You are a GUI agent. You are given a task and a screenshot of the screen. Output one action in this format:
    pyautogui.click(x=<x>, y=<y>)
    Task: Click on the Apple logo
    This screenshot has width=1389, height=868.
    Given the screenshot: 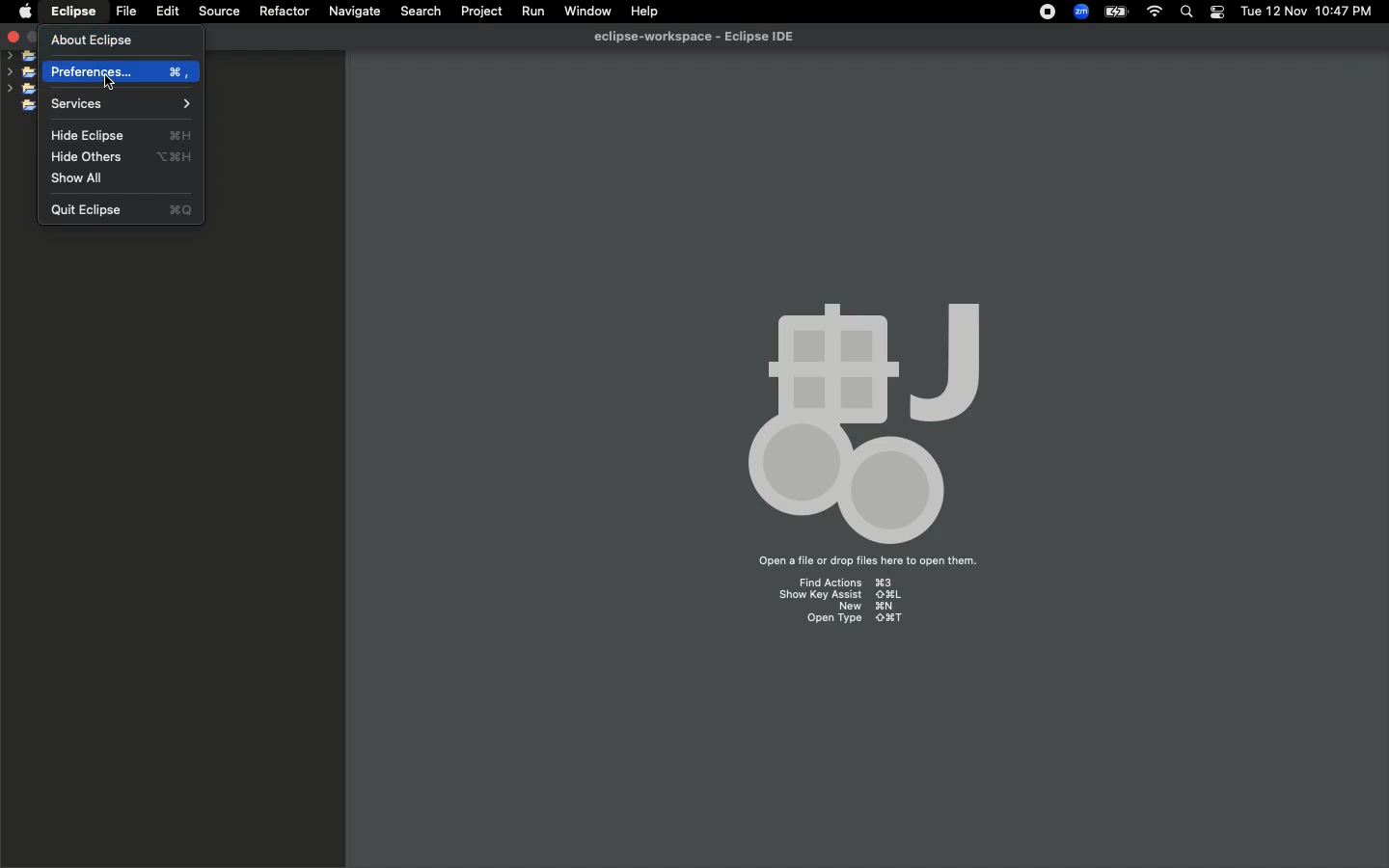 What is the action you would take?
    pyautogui.click(x=25, y=14)
    